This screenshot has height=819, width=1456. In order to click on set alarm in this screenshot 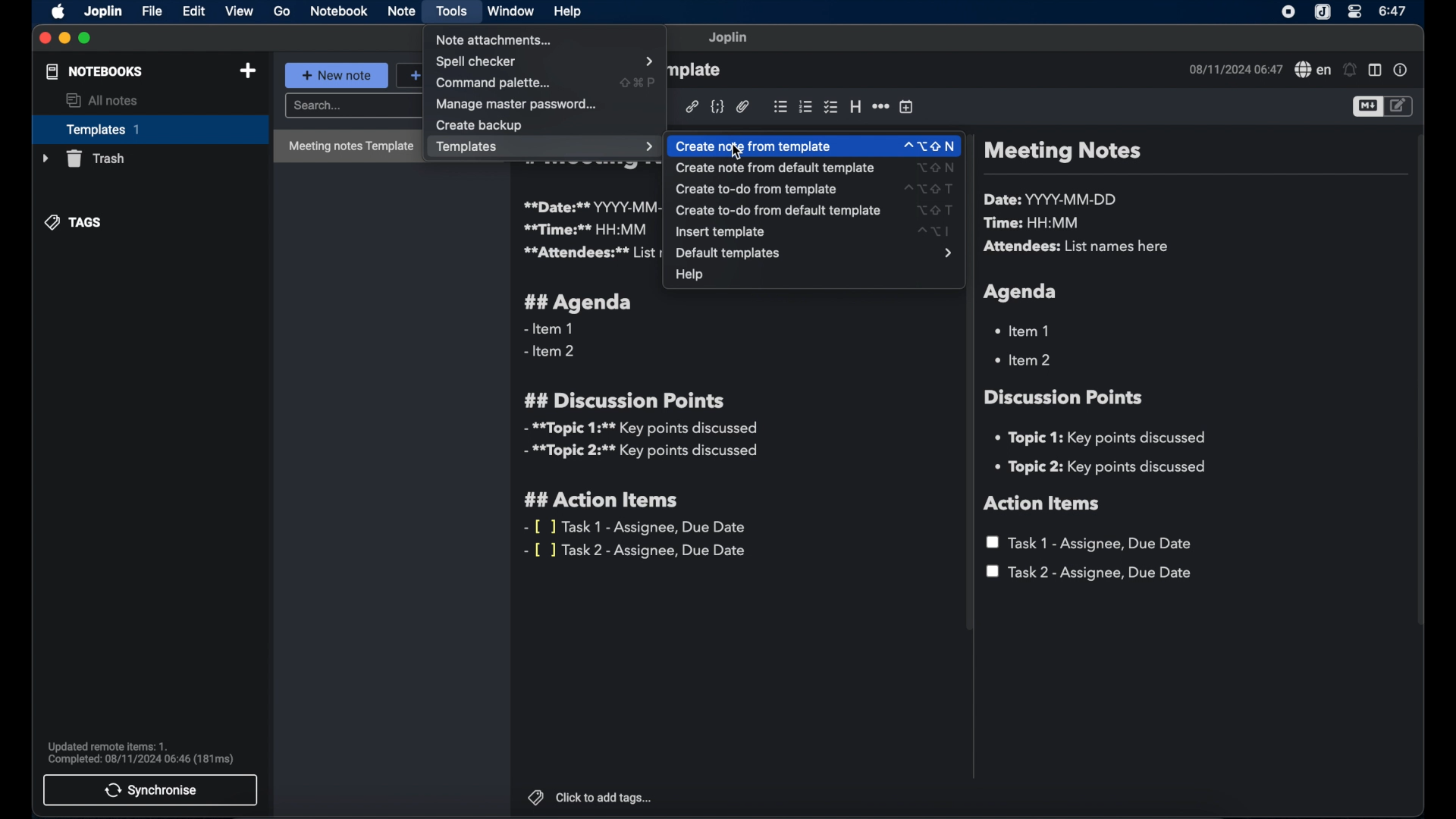, I will do `click(1349, 70)`.